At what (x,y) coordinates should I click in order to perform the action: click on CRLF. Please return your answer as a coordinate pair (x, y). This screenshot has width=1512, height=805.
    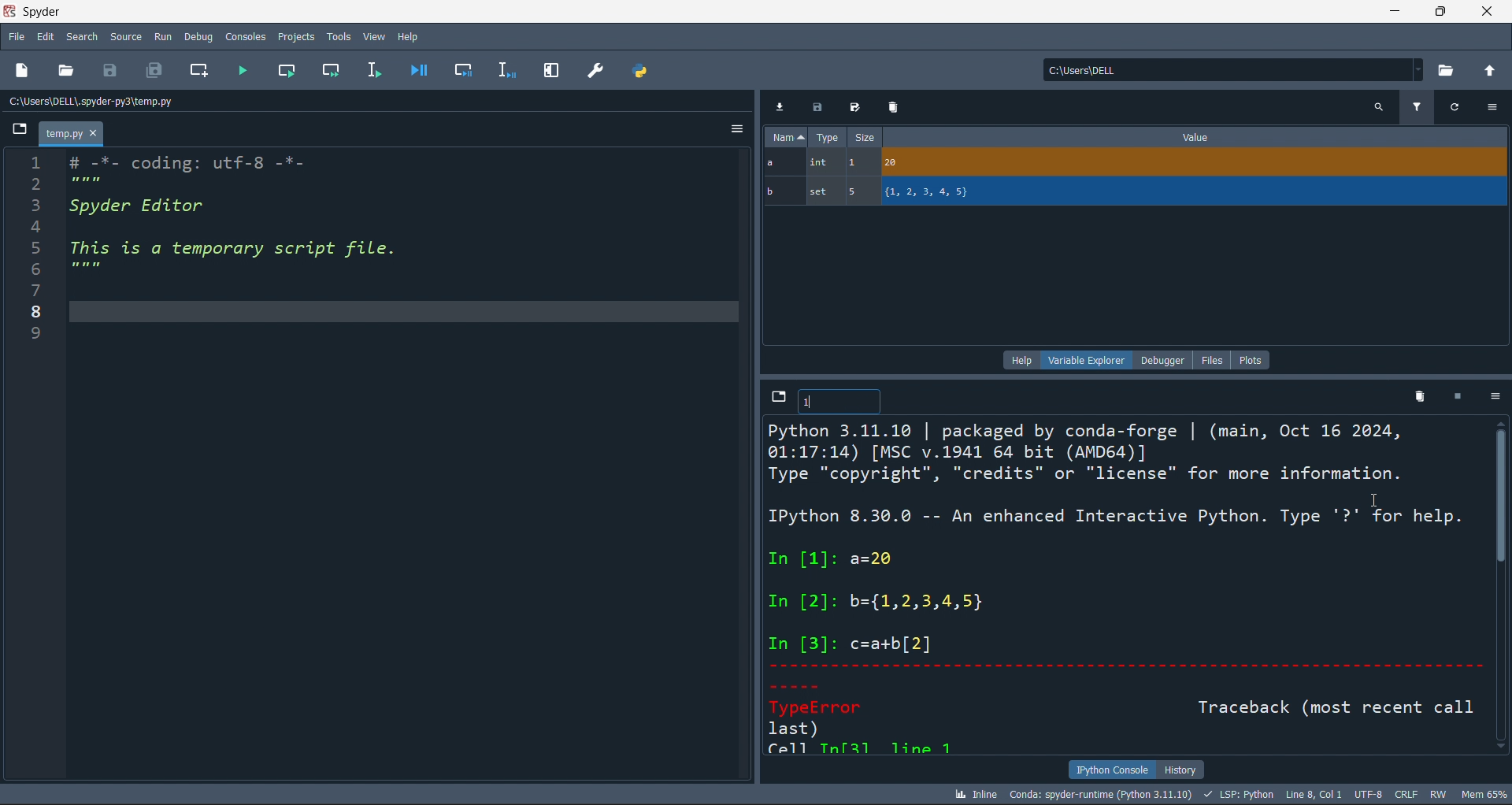
    Looking at the image, I should click on (1407, 796).